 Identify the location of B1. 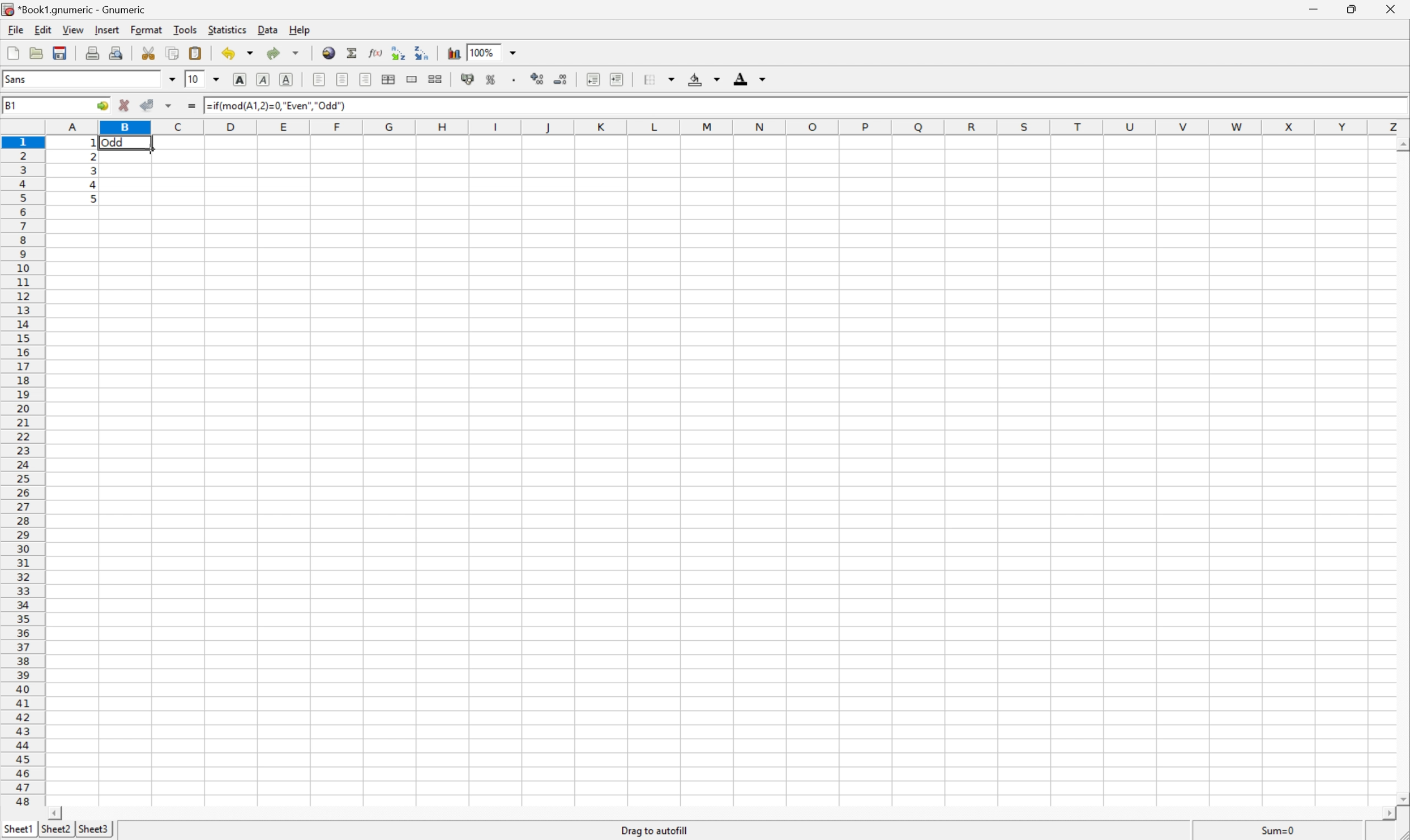
(15, 104).